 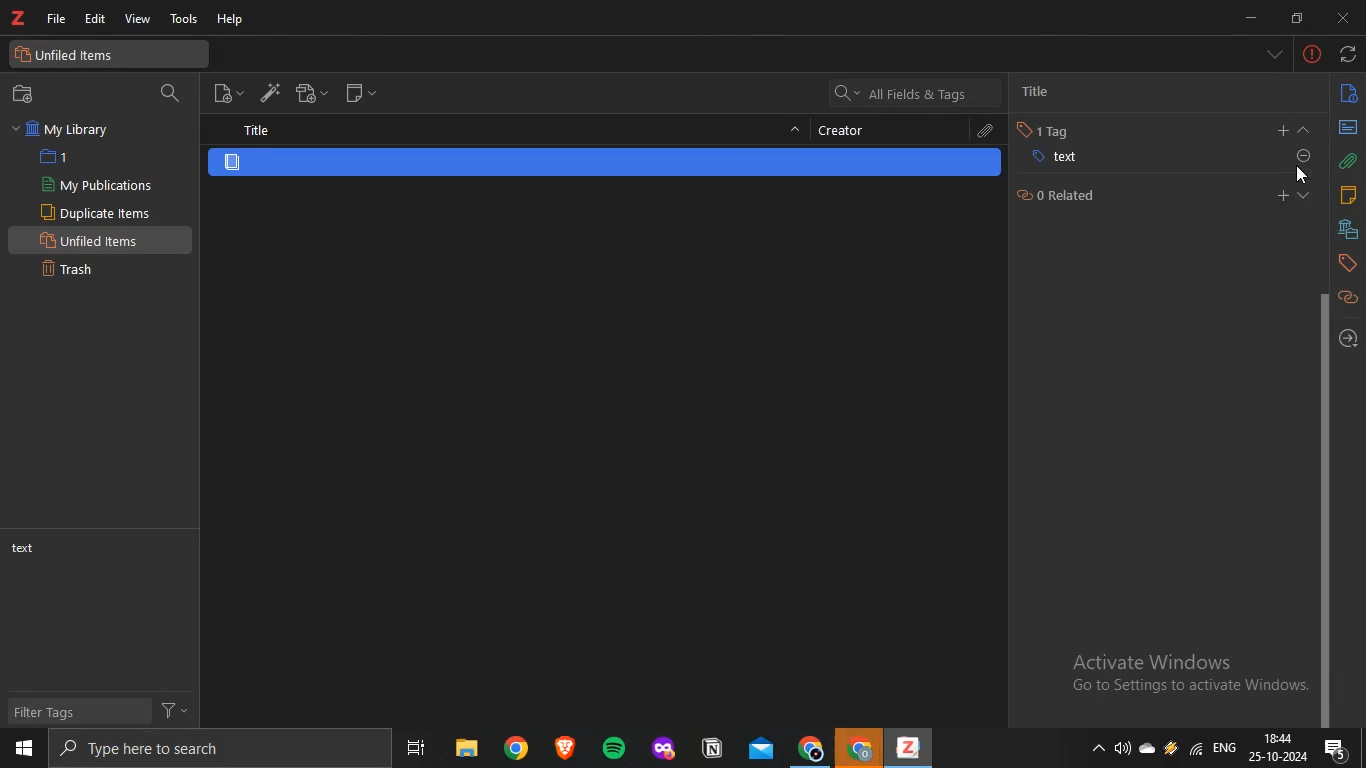 What do you see at coordinates (614, 746) in the screenshot?
I see `spotify` at bounding box center [614, 746].